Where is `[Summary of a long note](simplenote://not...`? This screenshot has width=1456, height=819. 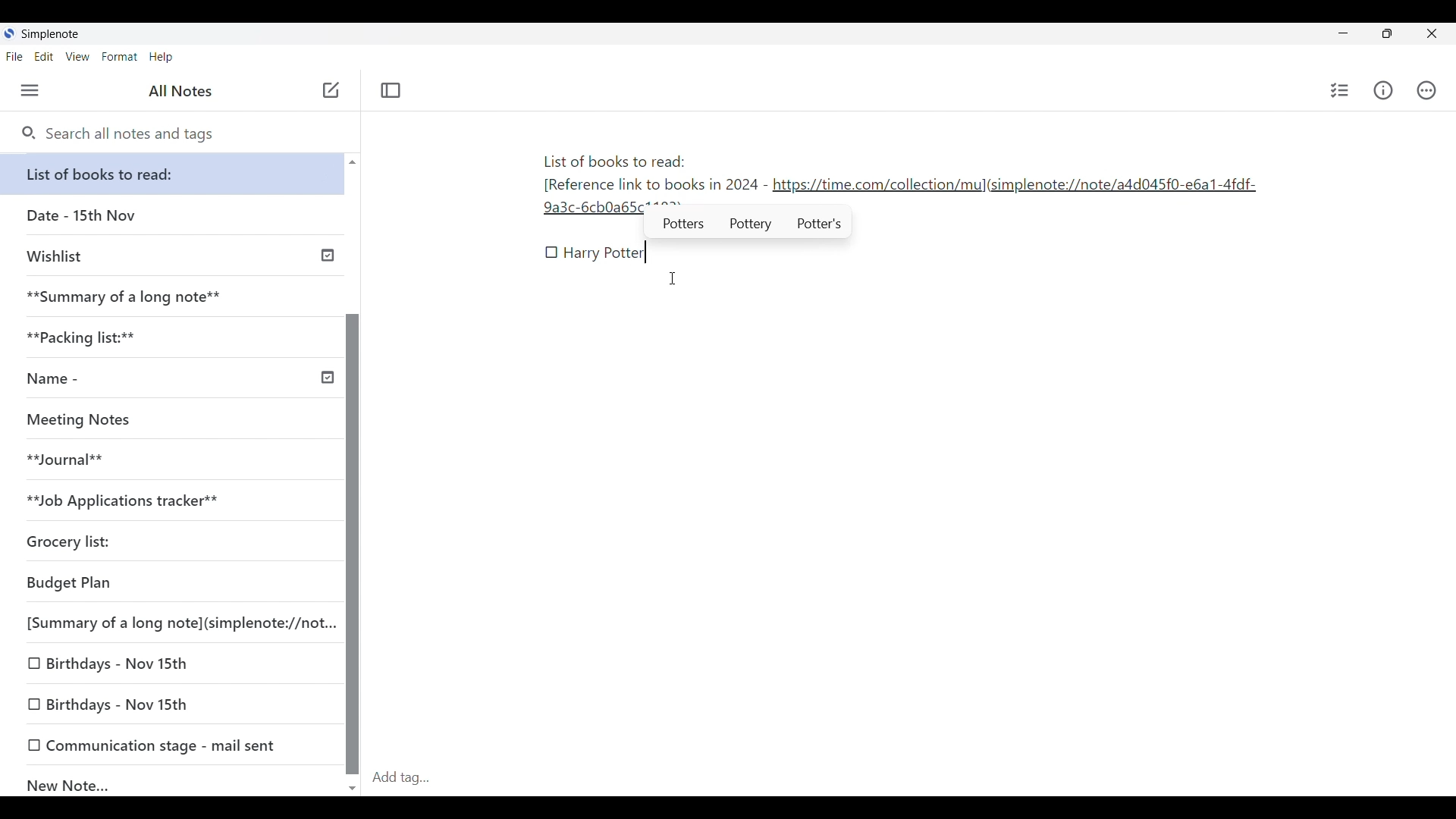
[Summary of a long note](simplenote://not... is located at coordinates (177, 623).